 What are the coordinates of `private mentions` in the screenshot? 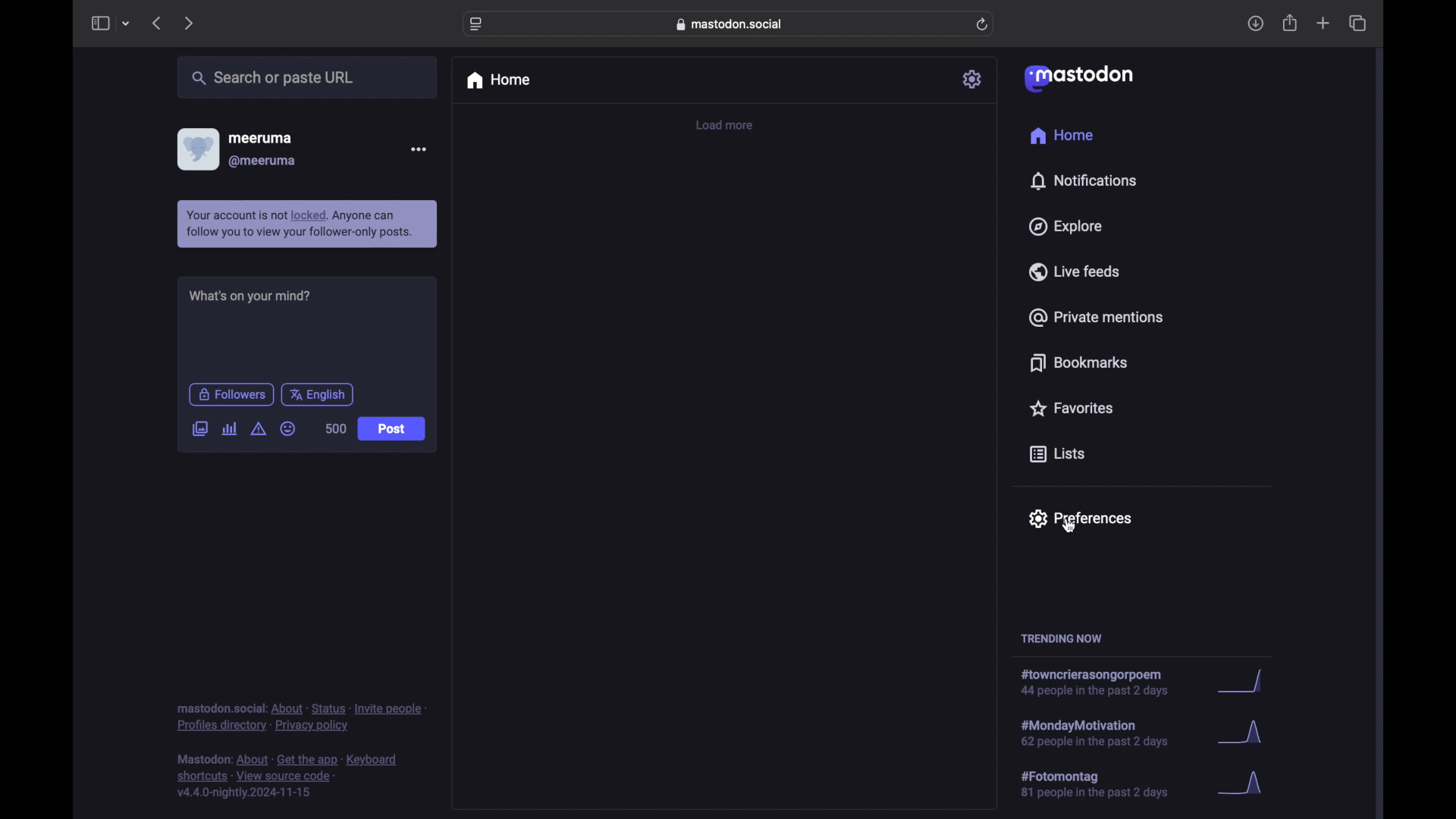 It's located at (1096, 317).